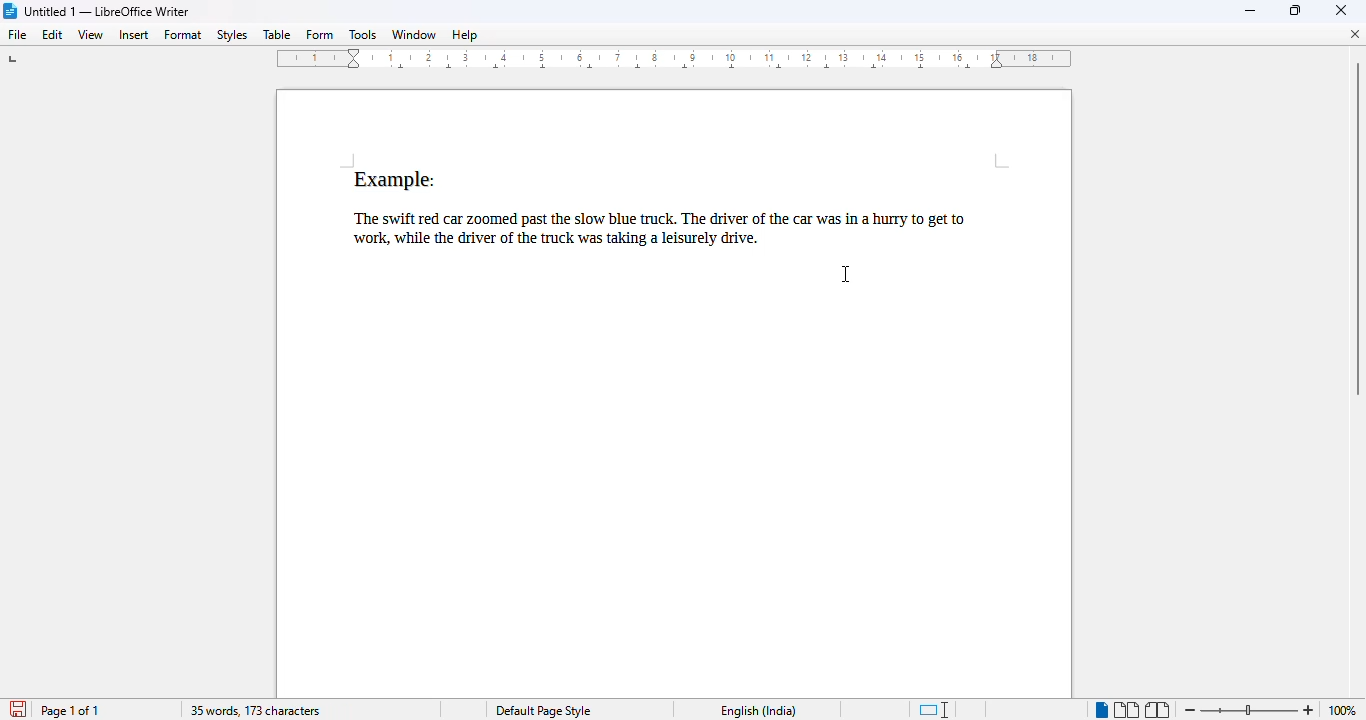 This screenshot has width=1366, height=720. I want to click on file, so click(18, 35).